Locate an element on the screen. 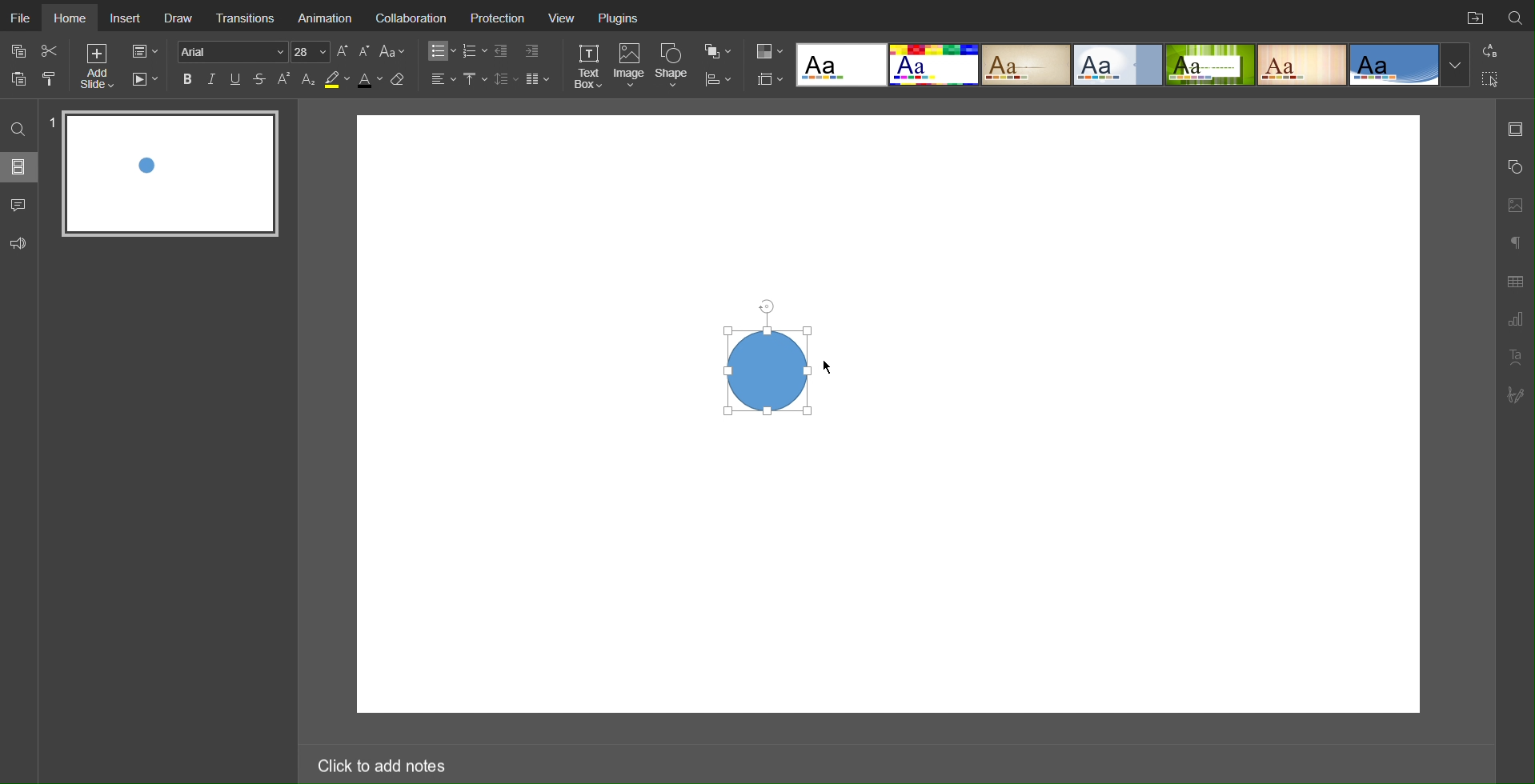  Paragraph Settings is located at coordinates (1515, 320).